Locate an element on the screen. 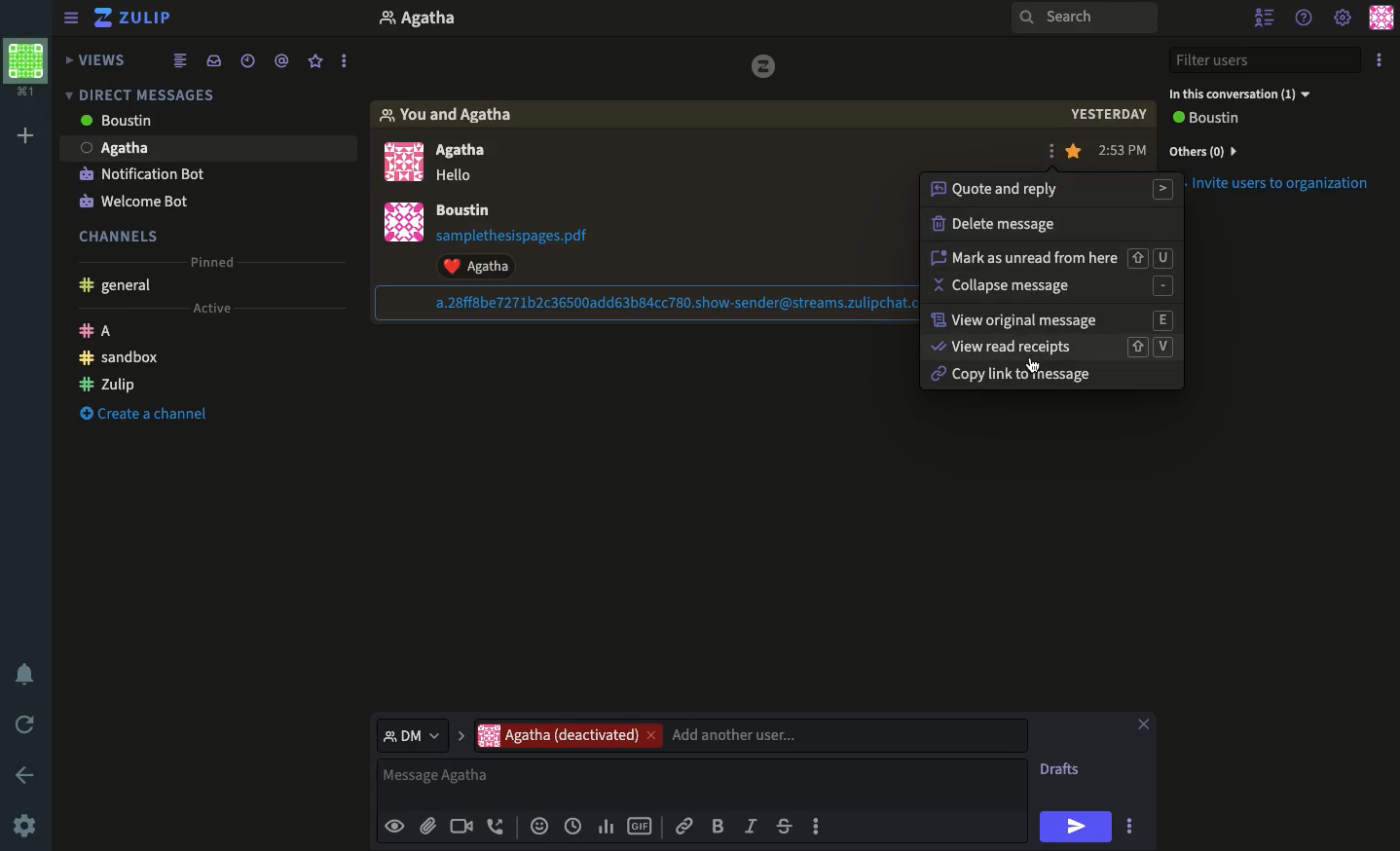 Image resolution: width=1400 pixels, height=851 pixels. Message is located at coordinates (705, 784).